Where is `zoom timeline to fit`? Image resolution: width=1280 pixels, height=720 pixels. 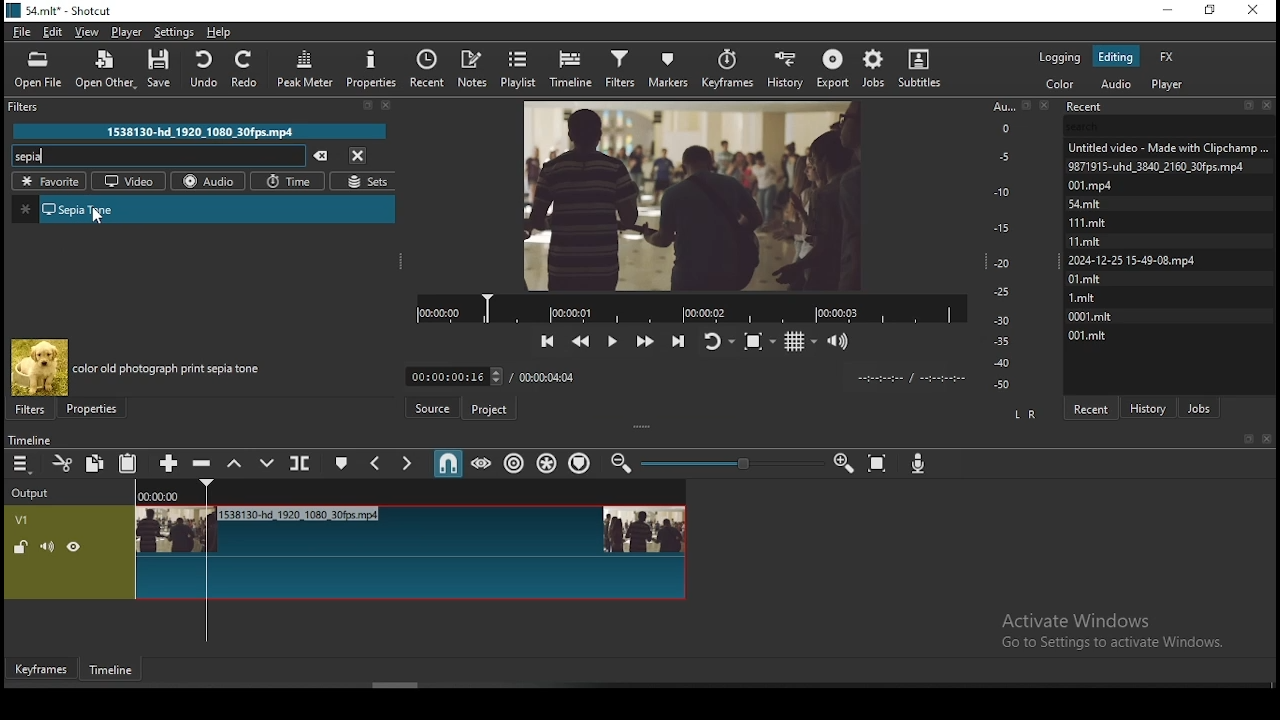
zoom timeline to fit is located at coordinates (881, 465).